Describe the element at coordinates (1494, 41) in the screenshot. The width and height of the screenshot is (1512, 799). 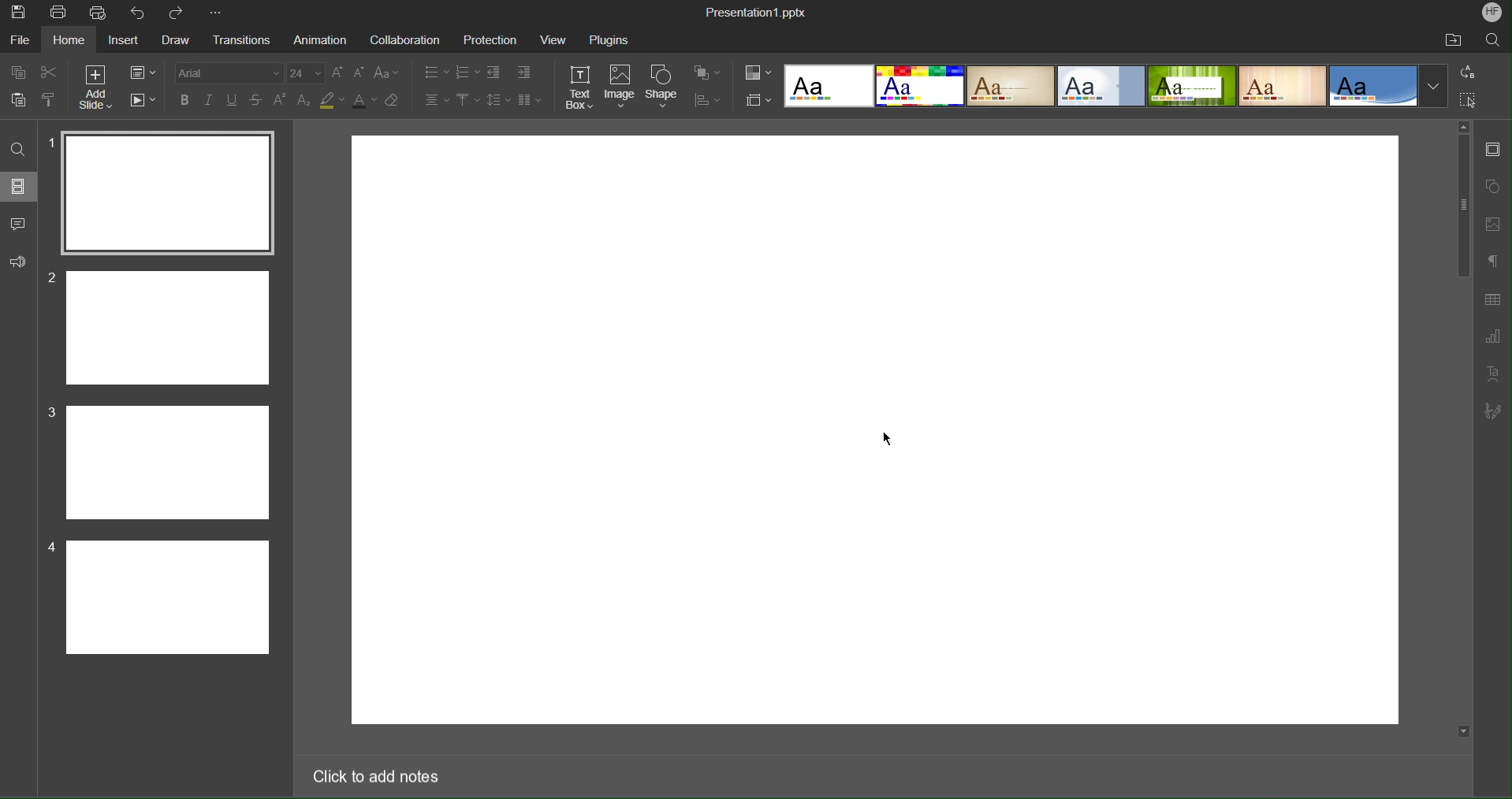
I see `Search` at that location.